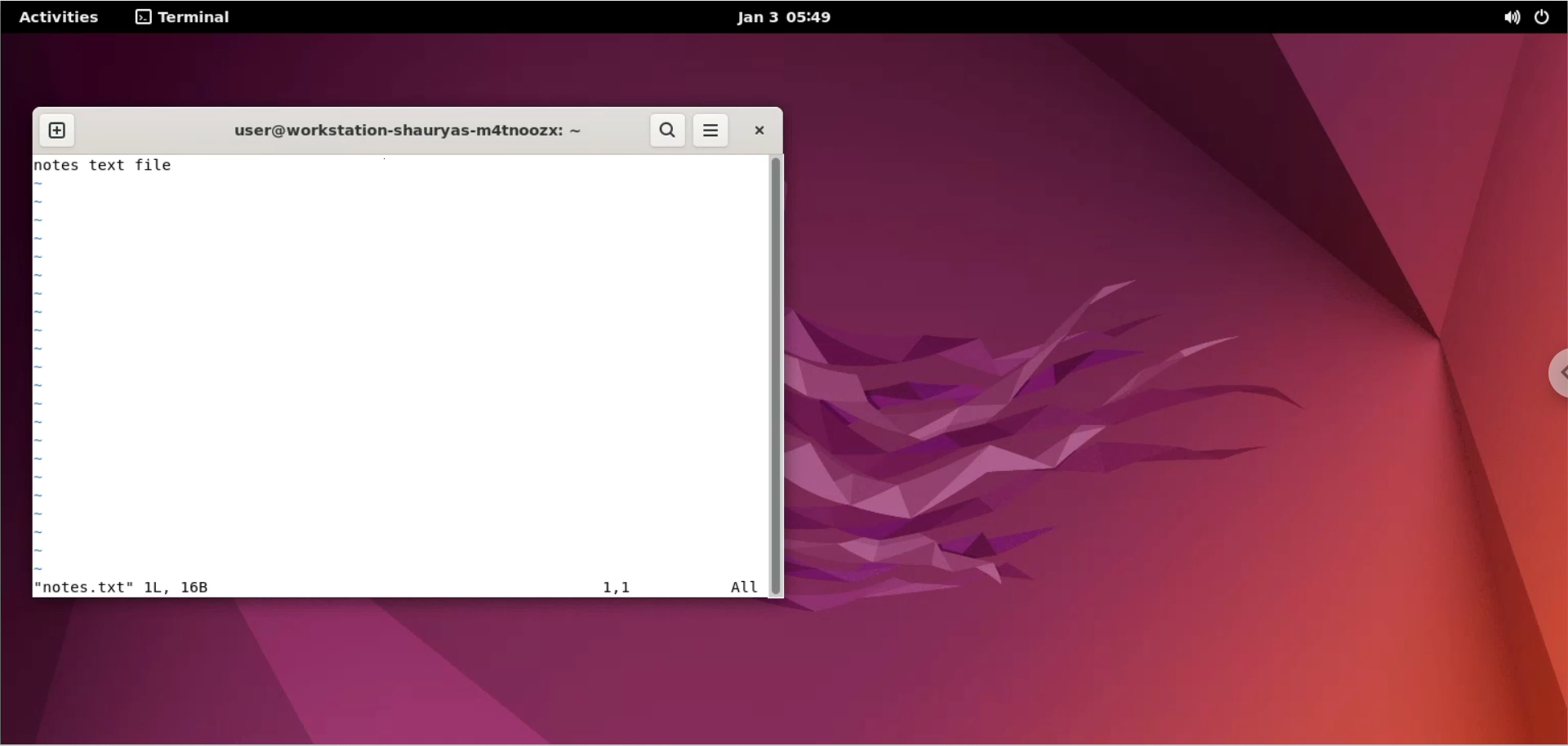  Describe the element at coordinates (401, 133) in the screenshot. I see `user@workstation-shauryas-m4tnoozx: ~` at that location.